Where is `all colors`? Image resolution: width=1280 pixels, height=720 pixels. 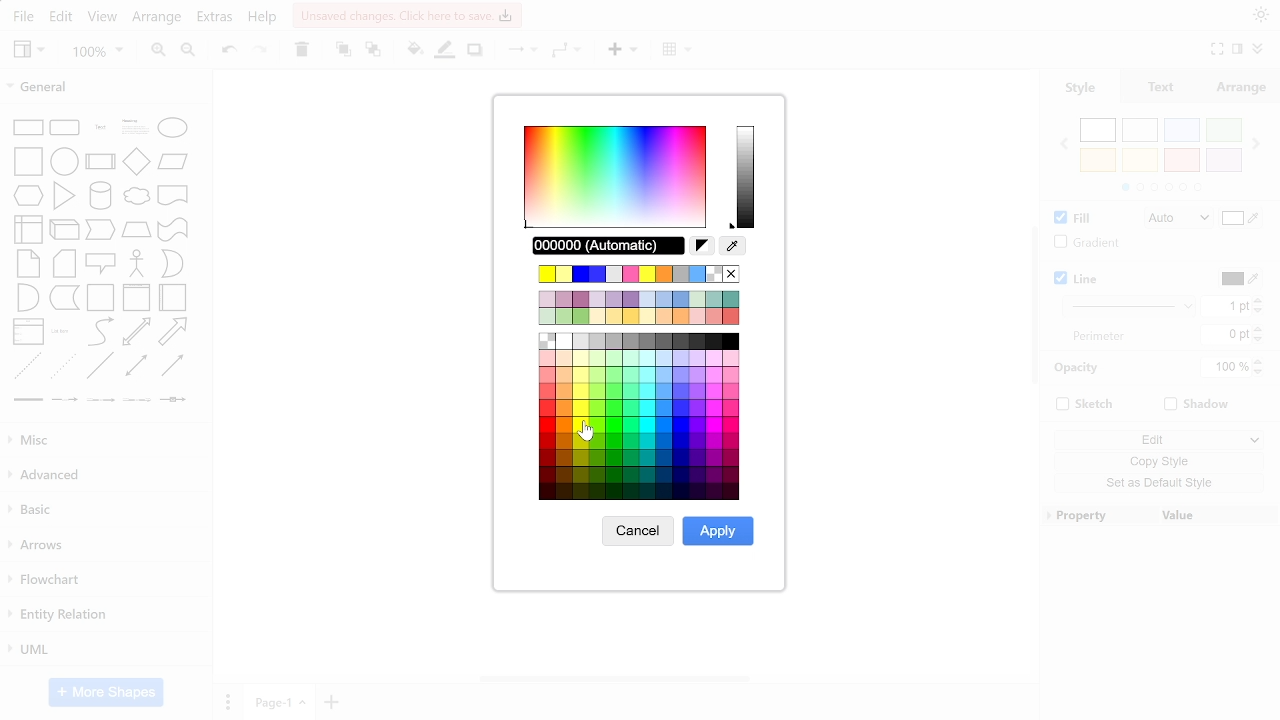
all colors is located at coordinates (641, 417).